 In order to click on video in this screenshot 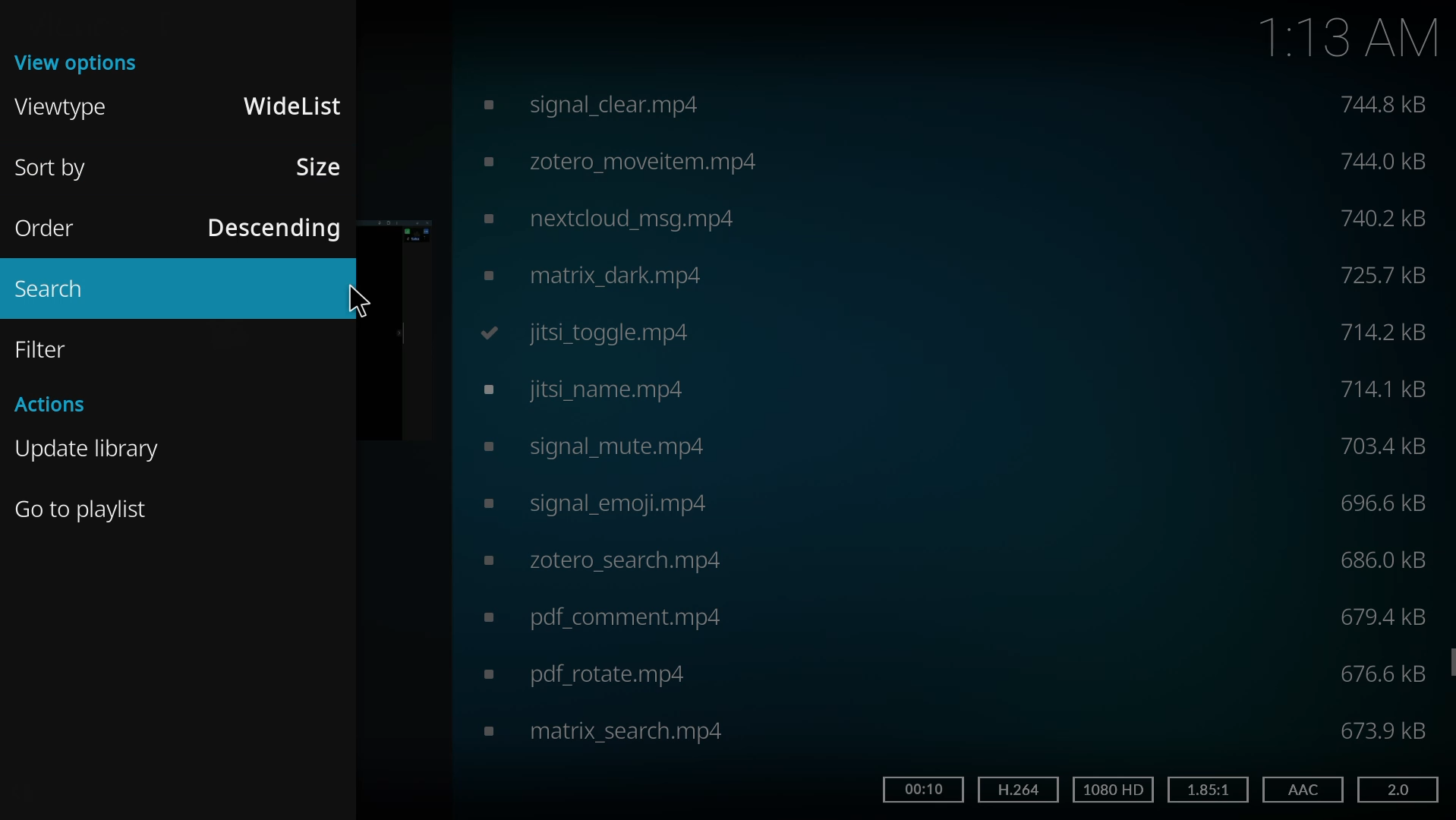, I will do `click(589, 276)`.